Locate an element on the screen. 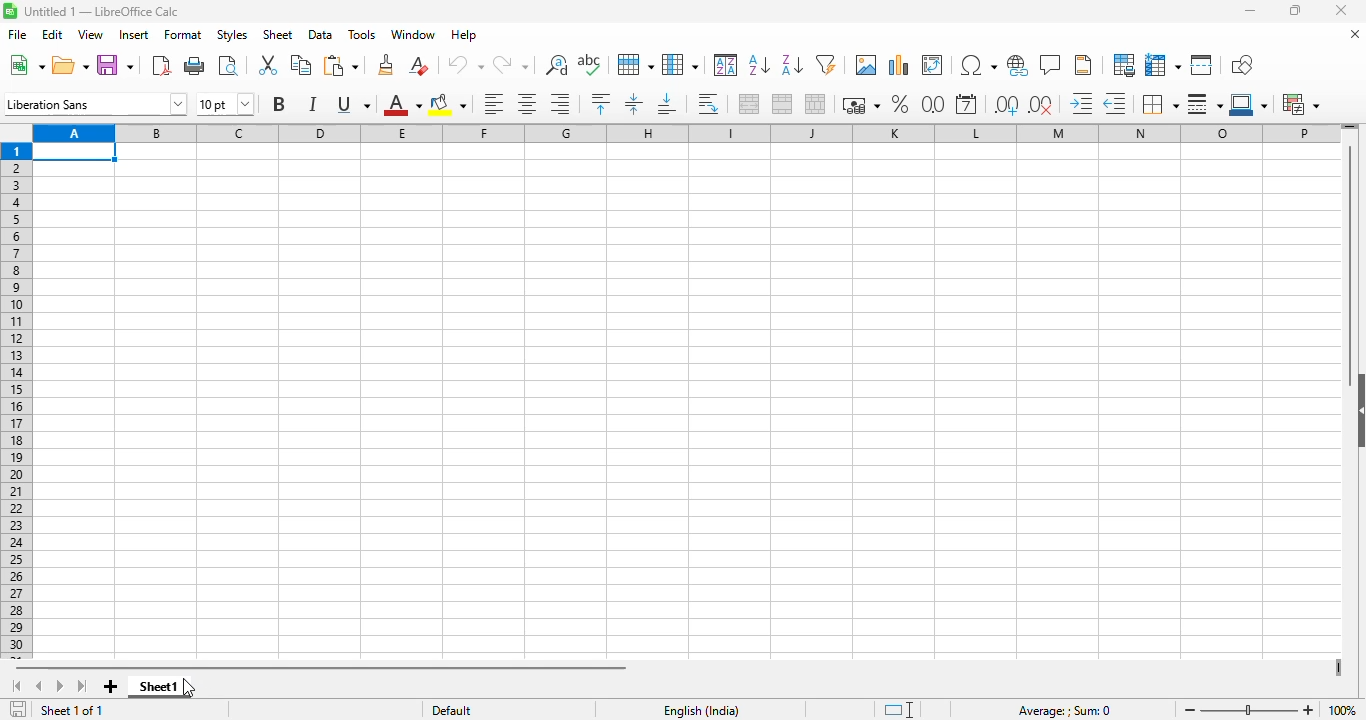  vertical scroll bar is located at coordinates (1352, 257).